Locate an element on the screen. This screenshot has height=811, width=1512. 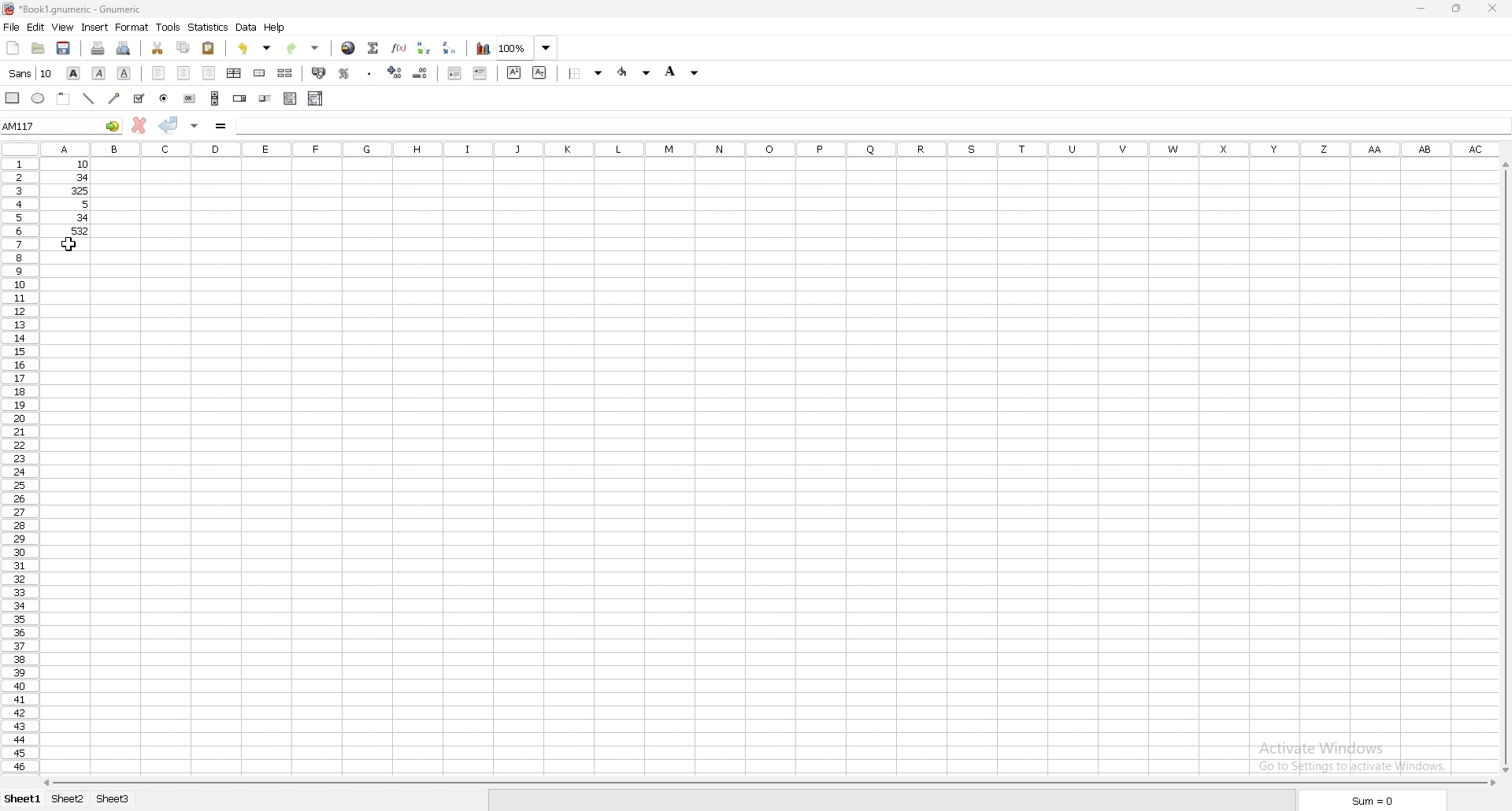
rows is located at coordinates (17, 468).